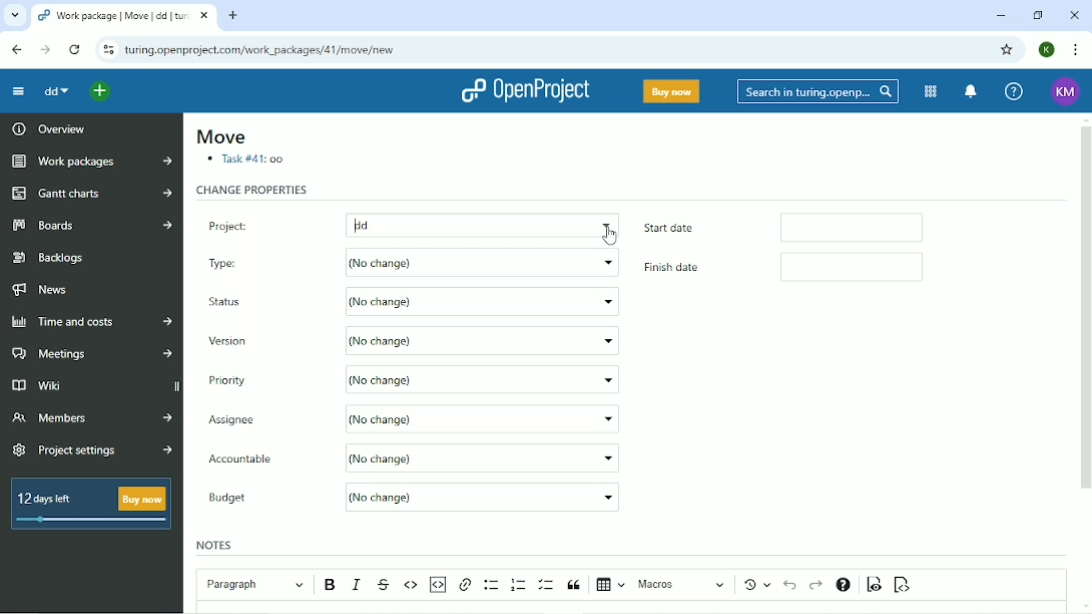 The width and height of the screenshot is (1092, 614). What do you see at coordinates (1076, 50) in the screenshot?
I see `Customize and conrol google chrome` at bounding box center [1076, 50].